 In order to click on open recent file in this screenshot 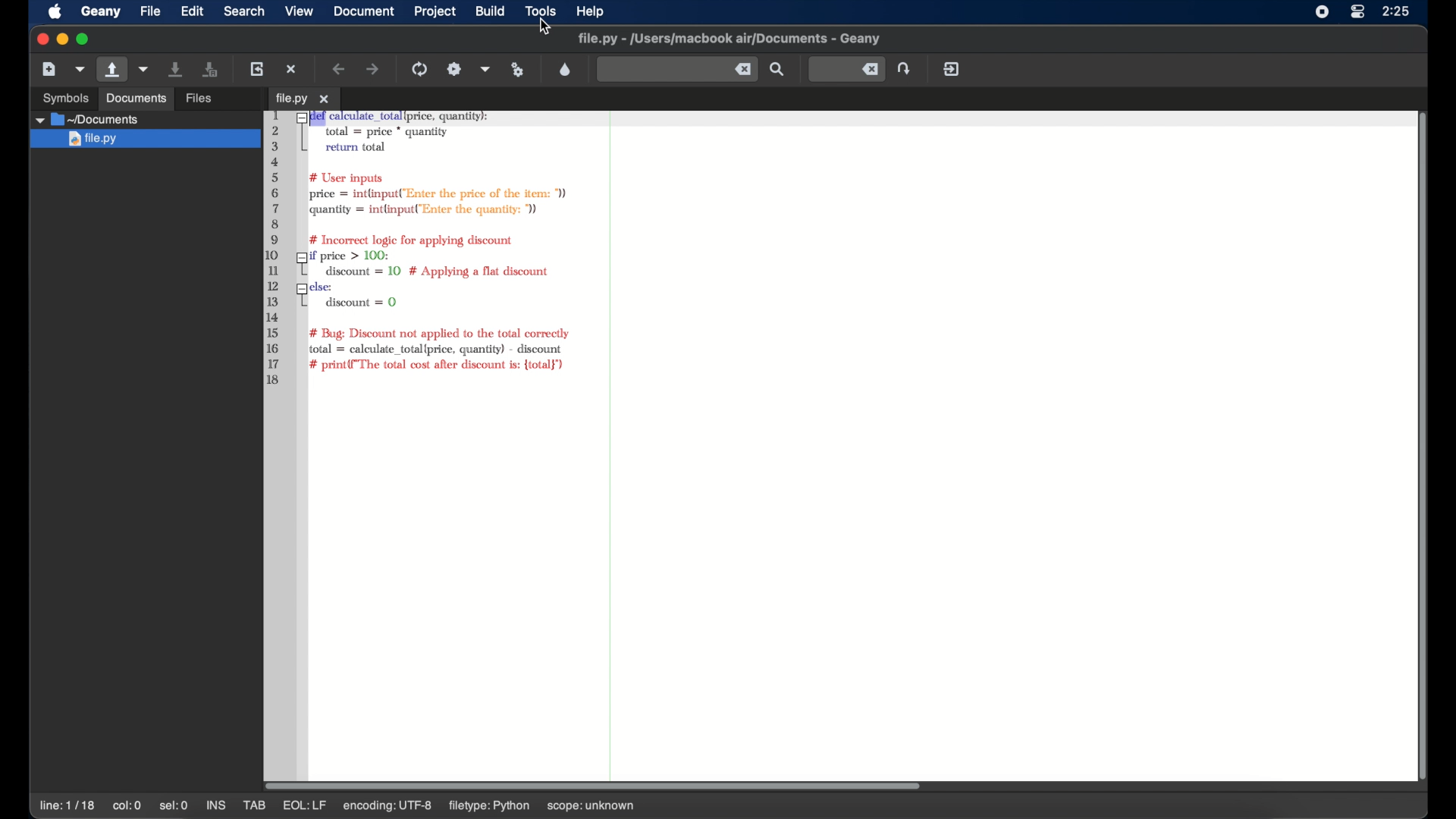, I will do `click(145, 70)`.